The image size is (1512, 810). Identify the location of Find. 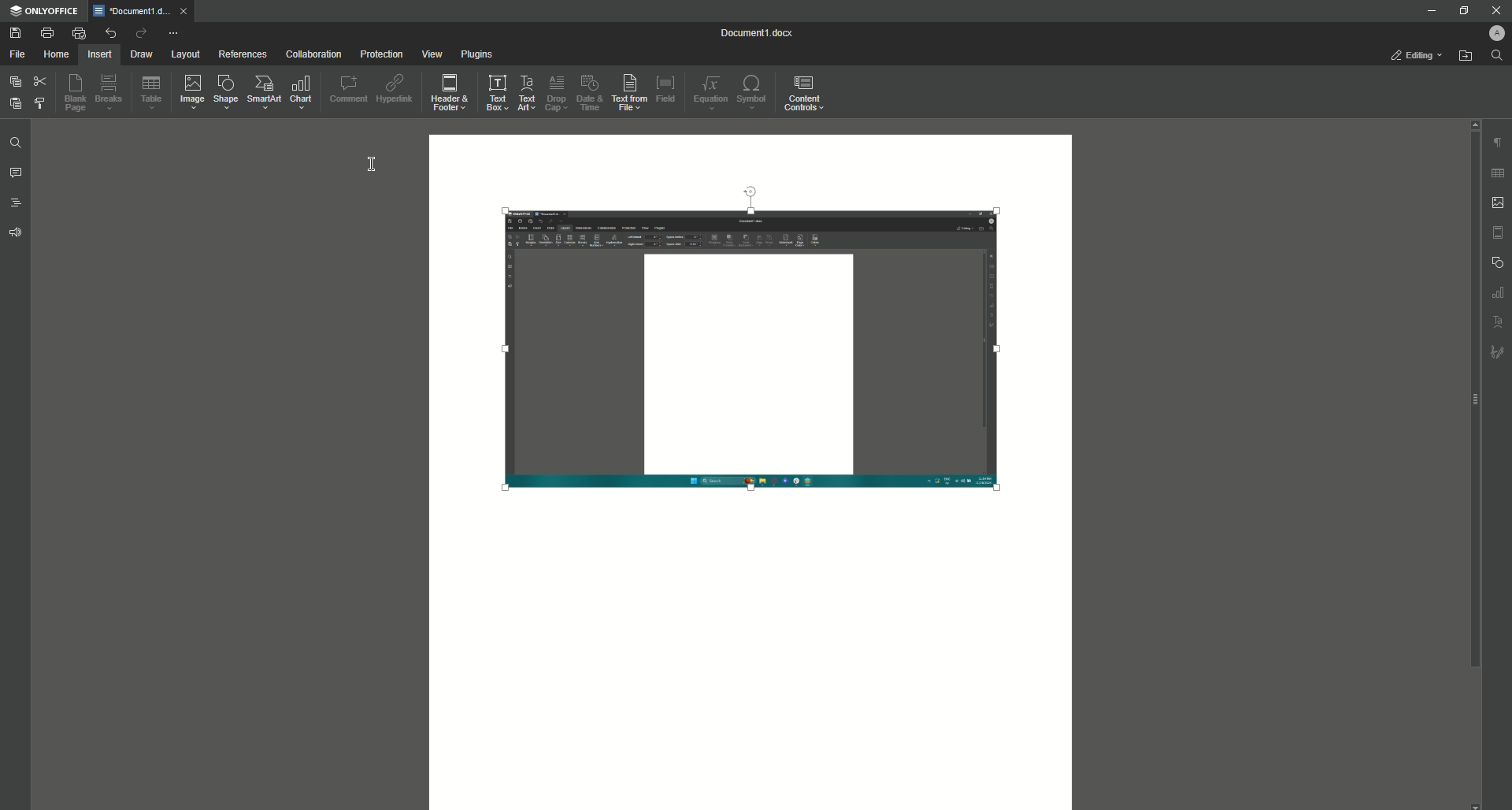
(16, 143).